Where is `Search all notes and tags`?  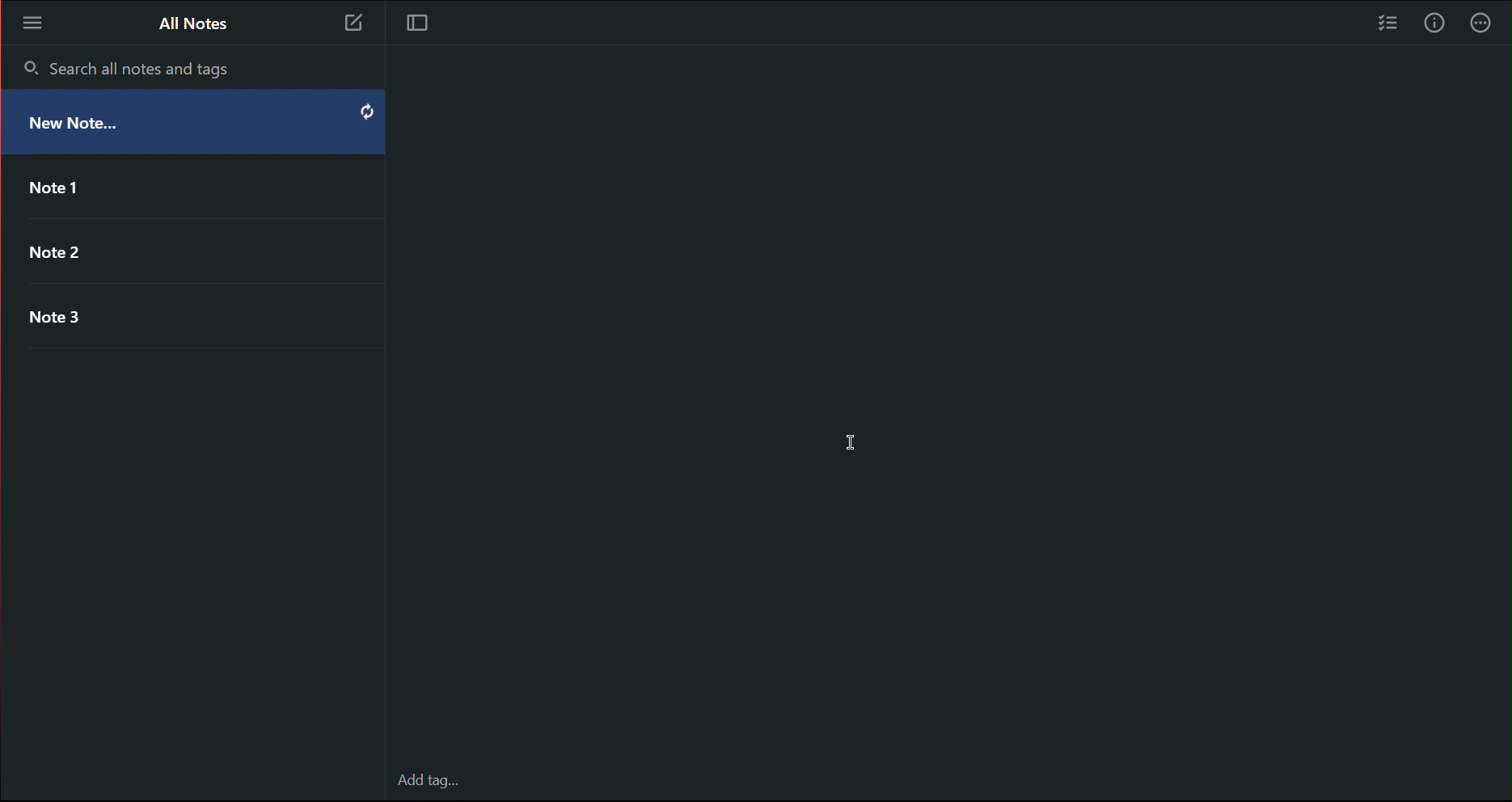 Search all notes and tags is located at coordinates (128, 67).